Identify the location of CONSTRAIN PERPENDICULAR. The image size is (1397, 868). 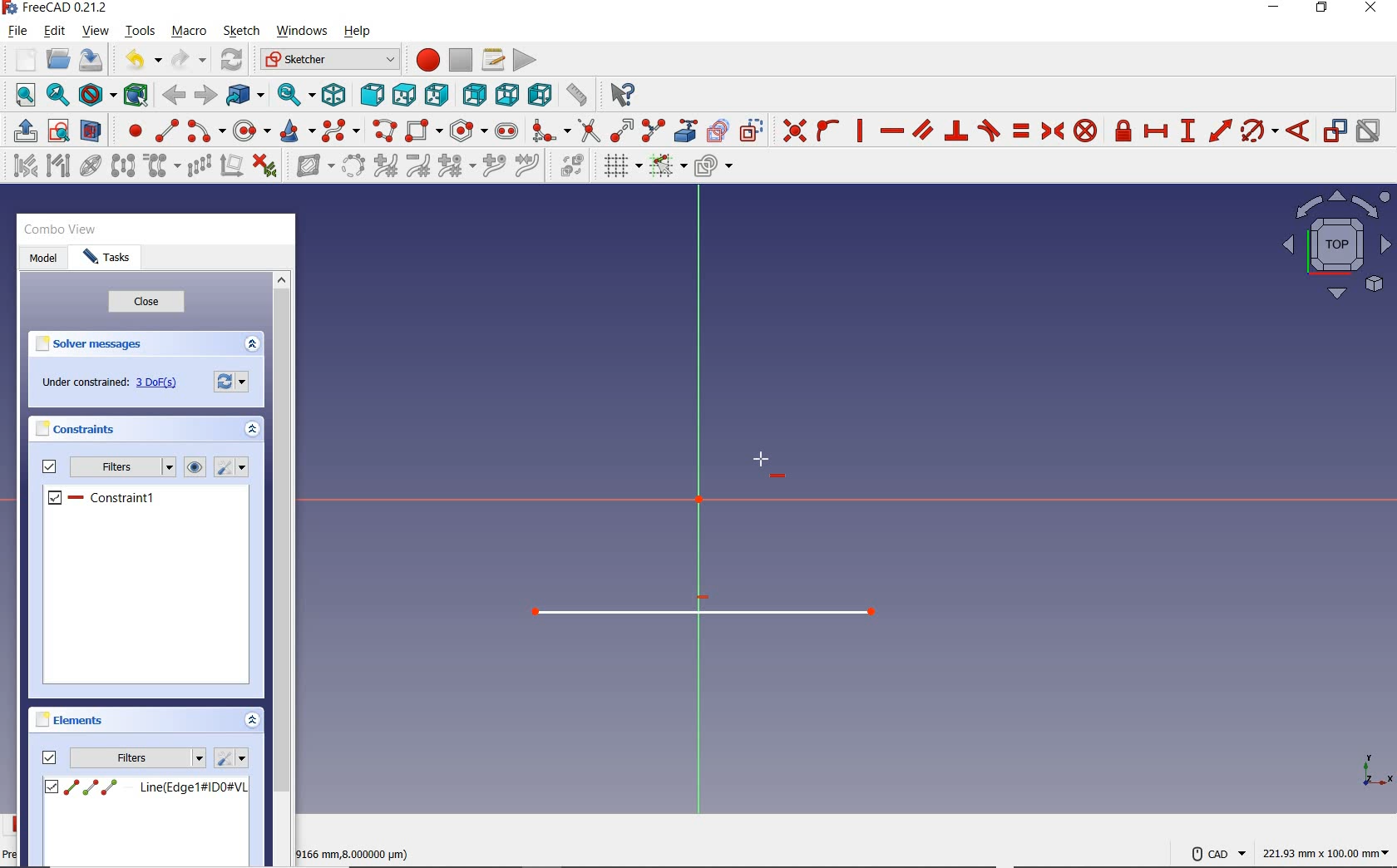
(955, 131).